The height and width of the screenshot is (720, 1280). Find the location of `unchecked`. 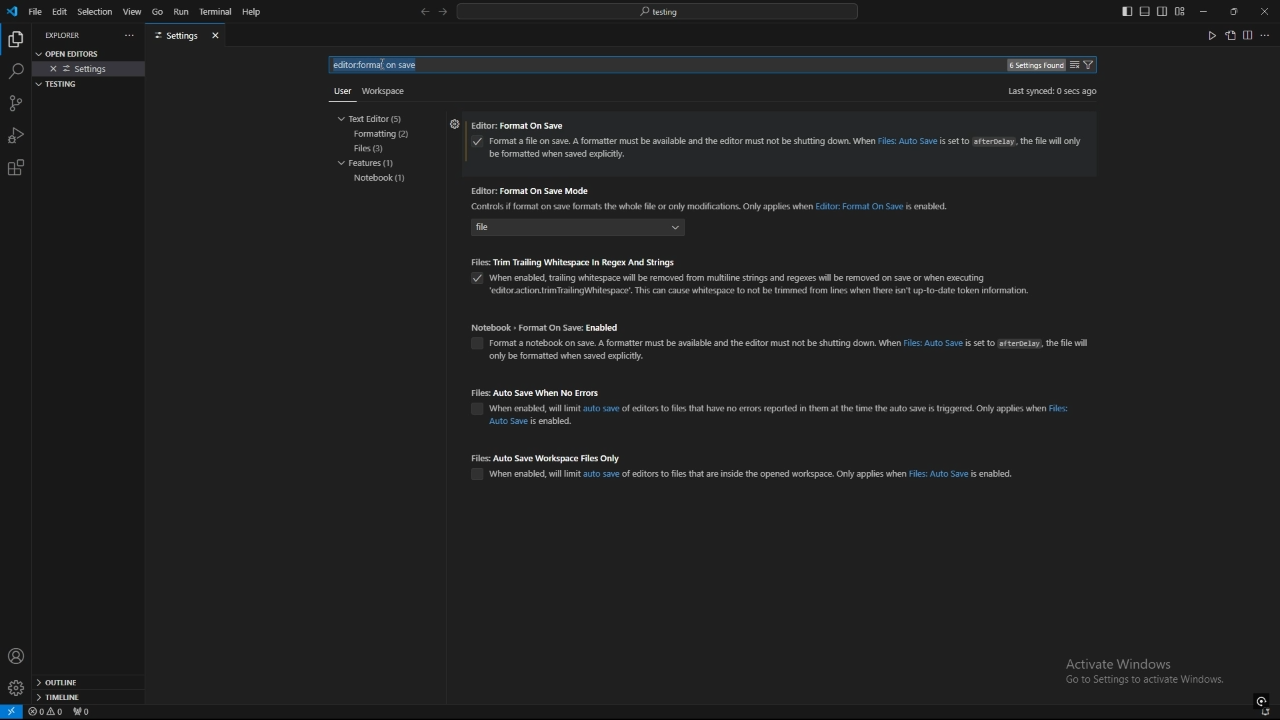

unchecked is located at coordinates (477, 473).